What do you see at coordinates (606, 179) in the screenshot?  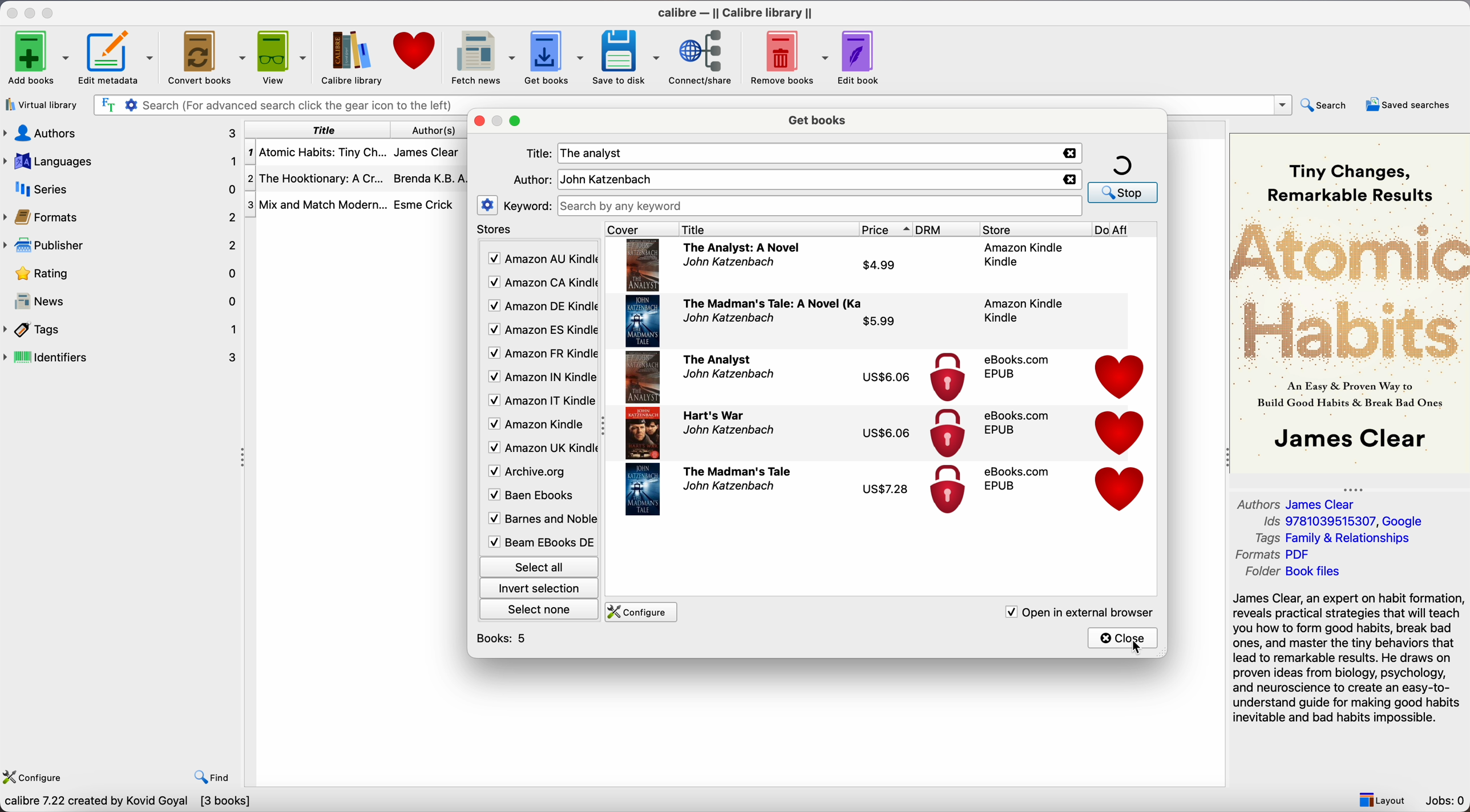 I see `John Katzenbach` at bounding box center [606, 179].